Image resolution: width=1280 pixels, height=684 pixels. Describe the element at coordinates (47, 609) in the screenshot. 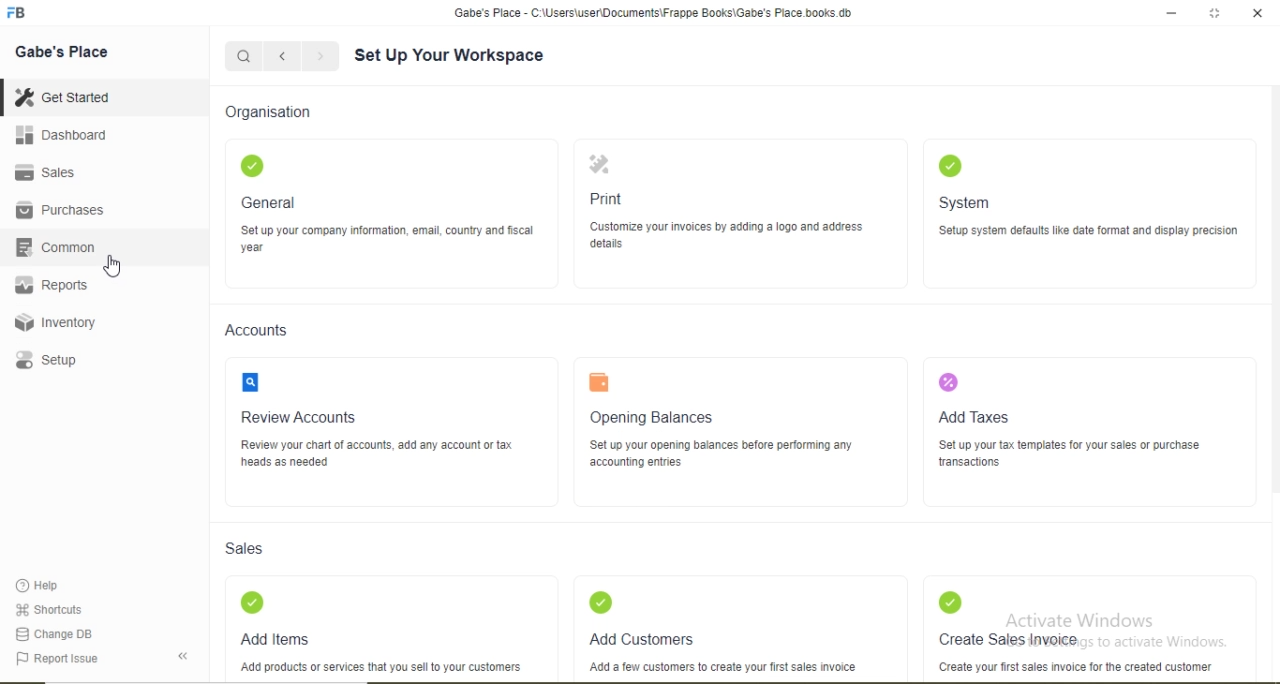

I see `Shortcuts` at that location.